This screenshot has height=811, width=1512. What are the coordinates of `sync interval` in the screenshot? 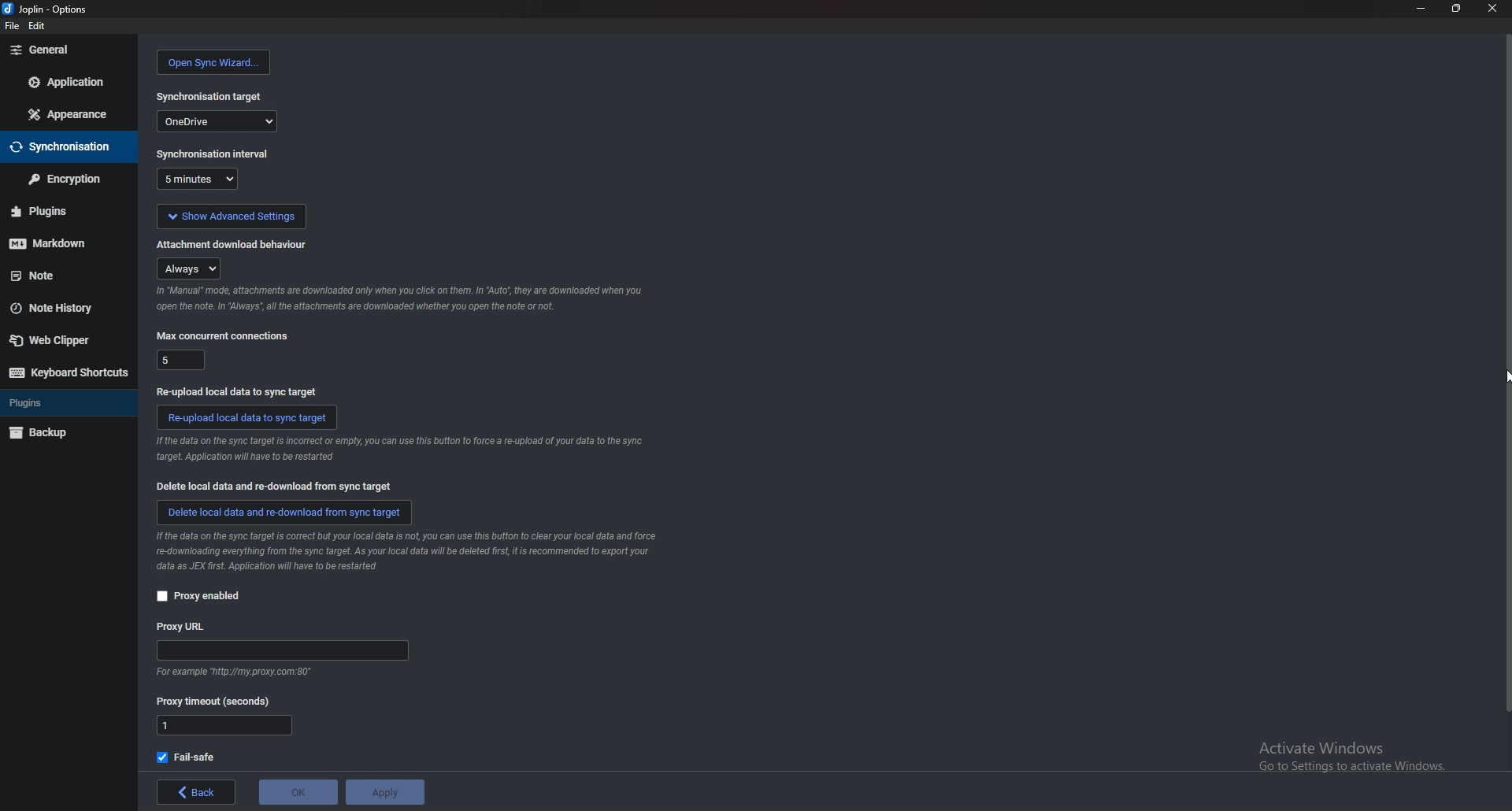 It's located at (214, 154).